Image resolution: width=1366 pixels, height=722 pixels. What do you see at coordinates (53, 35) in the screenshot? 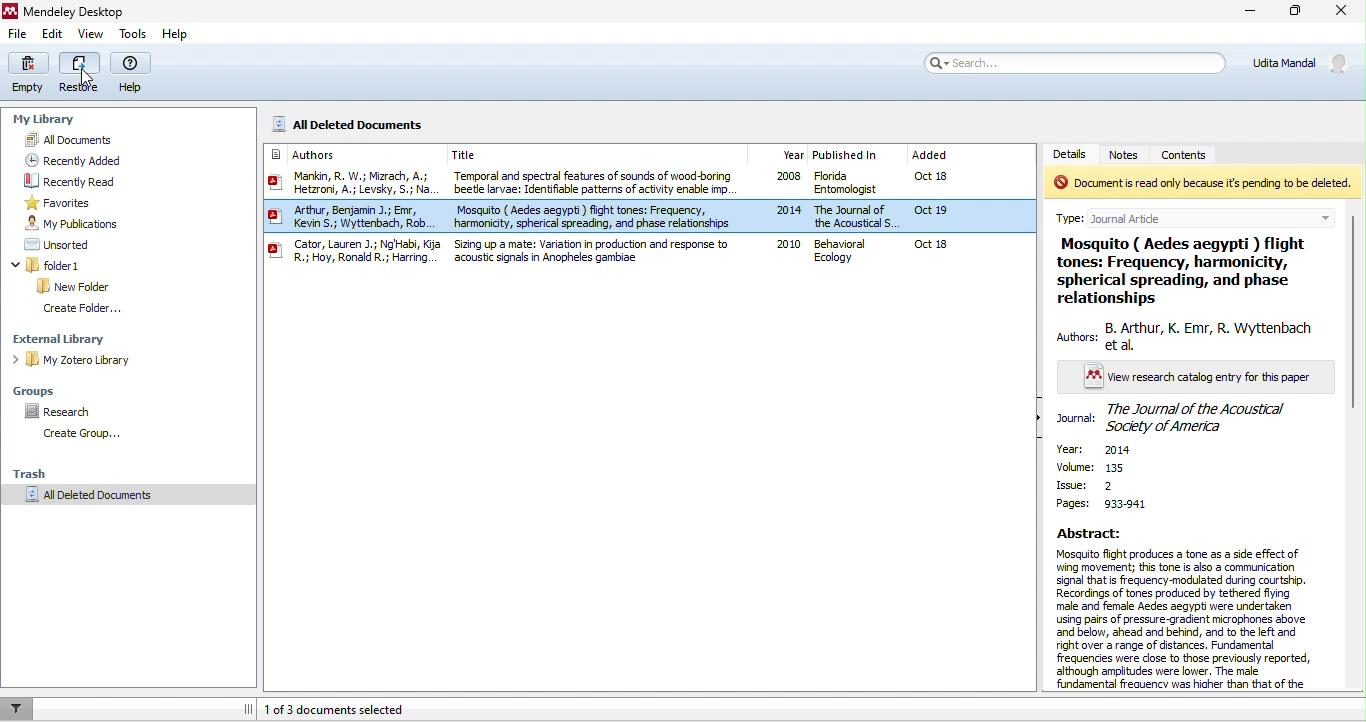
I see `edit` at bounding box center [53, 35].